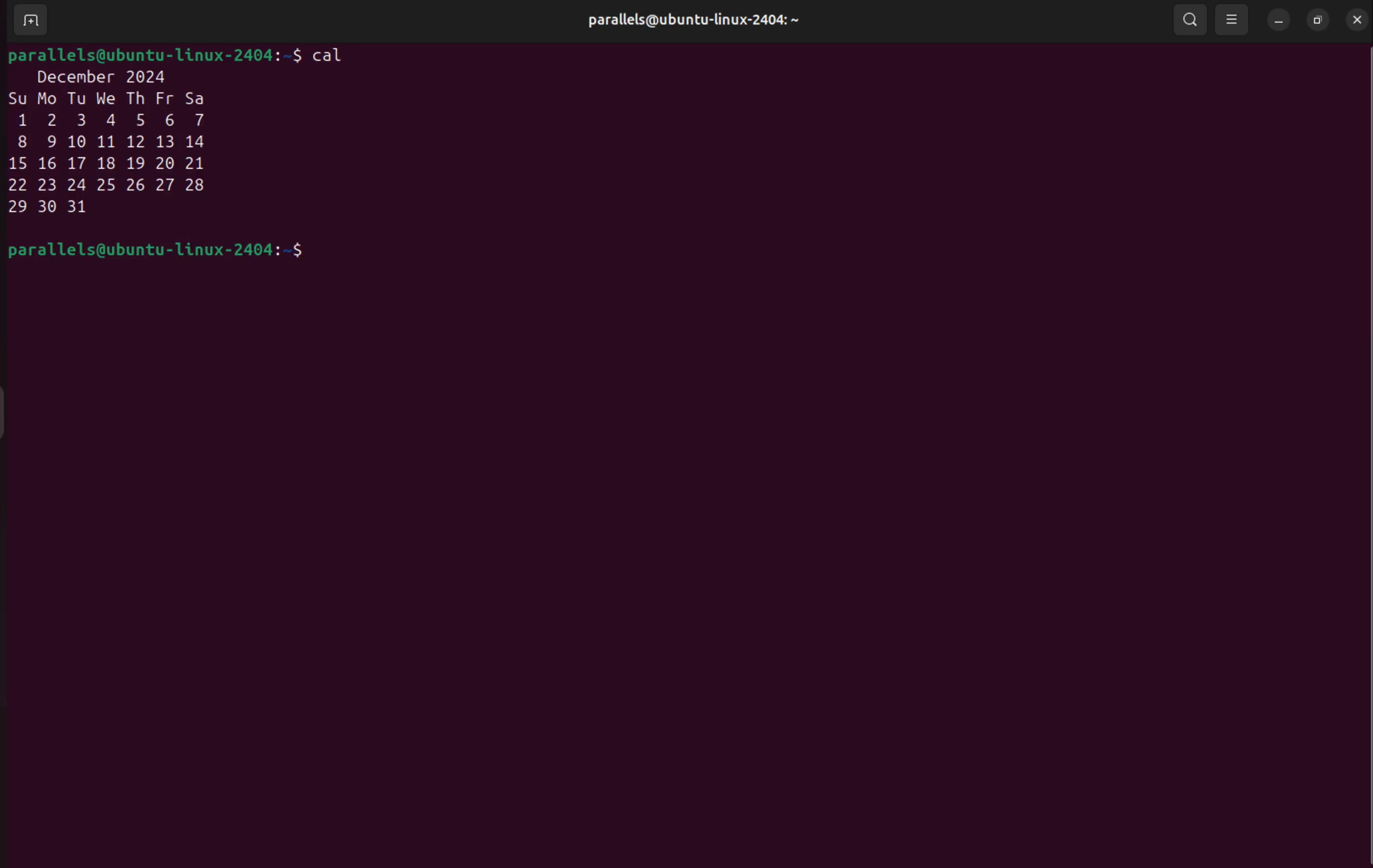 The height and width of the screenshot is (868, 1373). Describe the element at coordinates (157, 252) in the screenshot. I see `parallels@ubuntu-1linux-2404:-$` at that location.